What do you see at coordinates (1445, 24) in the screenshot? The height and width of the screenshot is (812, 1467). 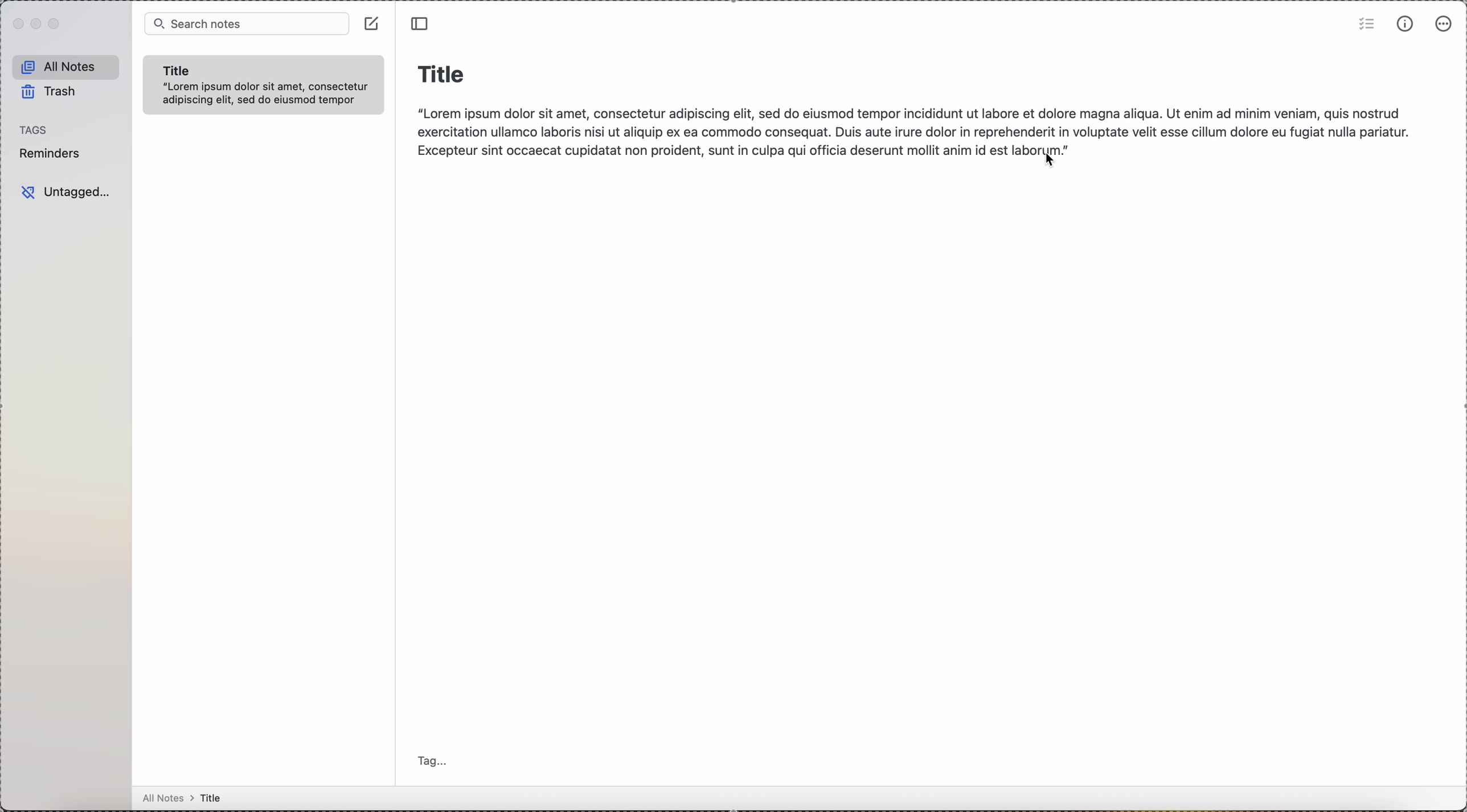 I see `more options` at bounding box center [1445, 24].